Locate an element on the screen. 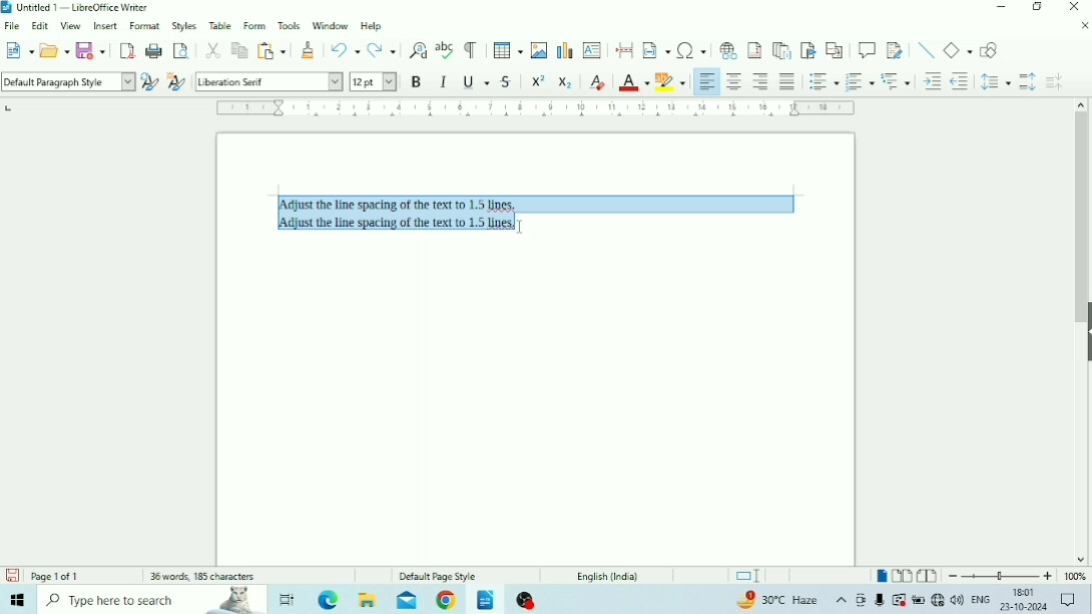  Increase Indent is located at coordinates (933, 82).